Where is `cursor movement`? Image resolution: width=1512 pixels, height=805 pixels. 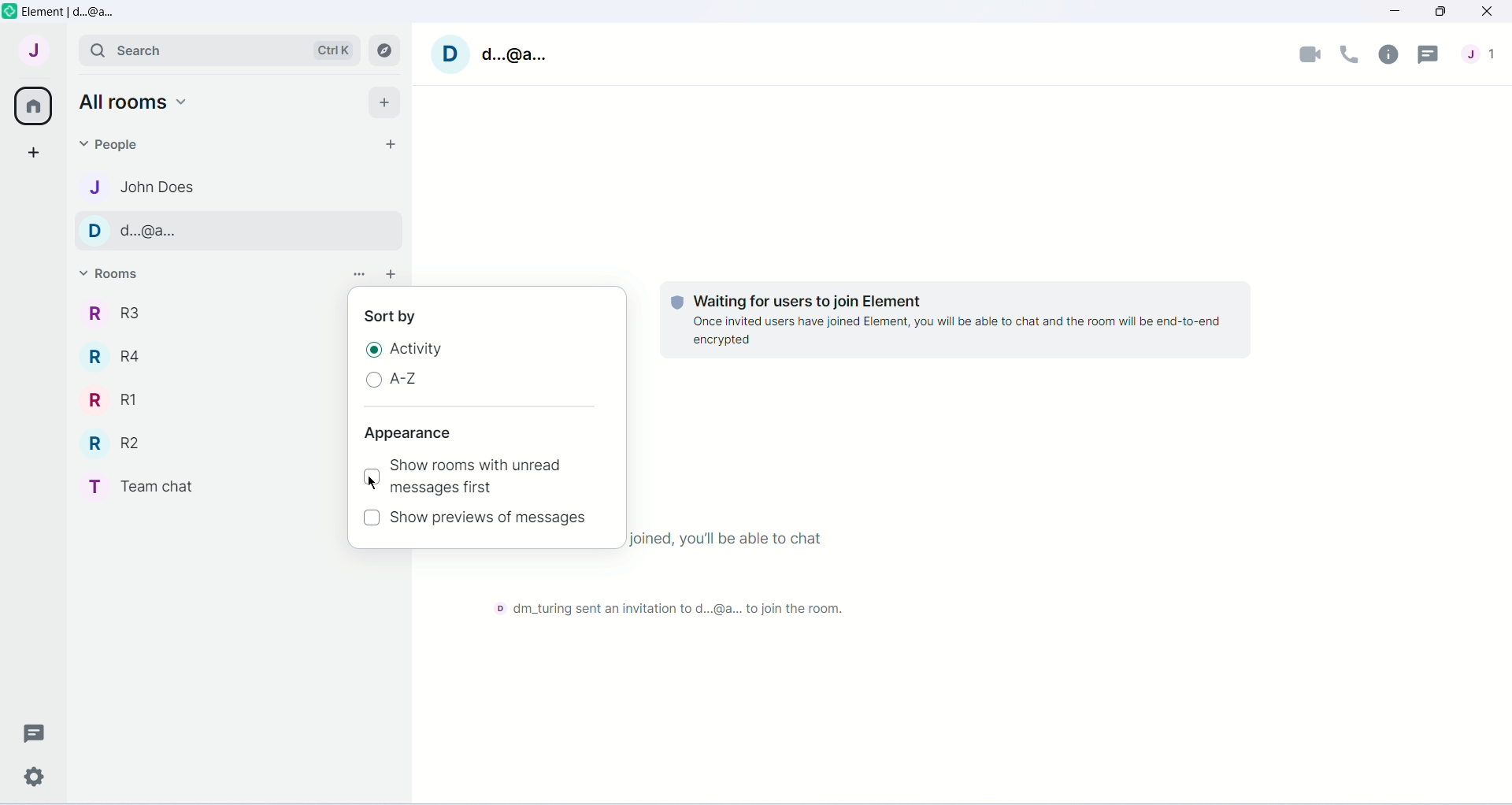
cursor movement is located at coordinates (368, 487).